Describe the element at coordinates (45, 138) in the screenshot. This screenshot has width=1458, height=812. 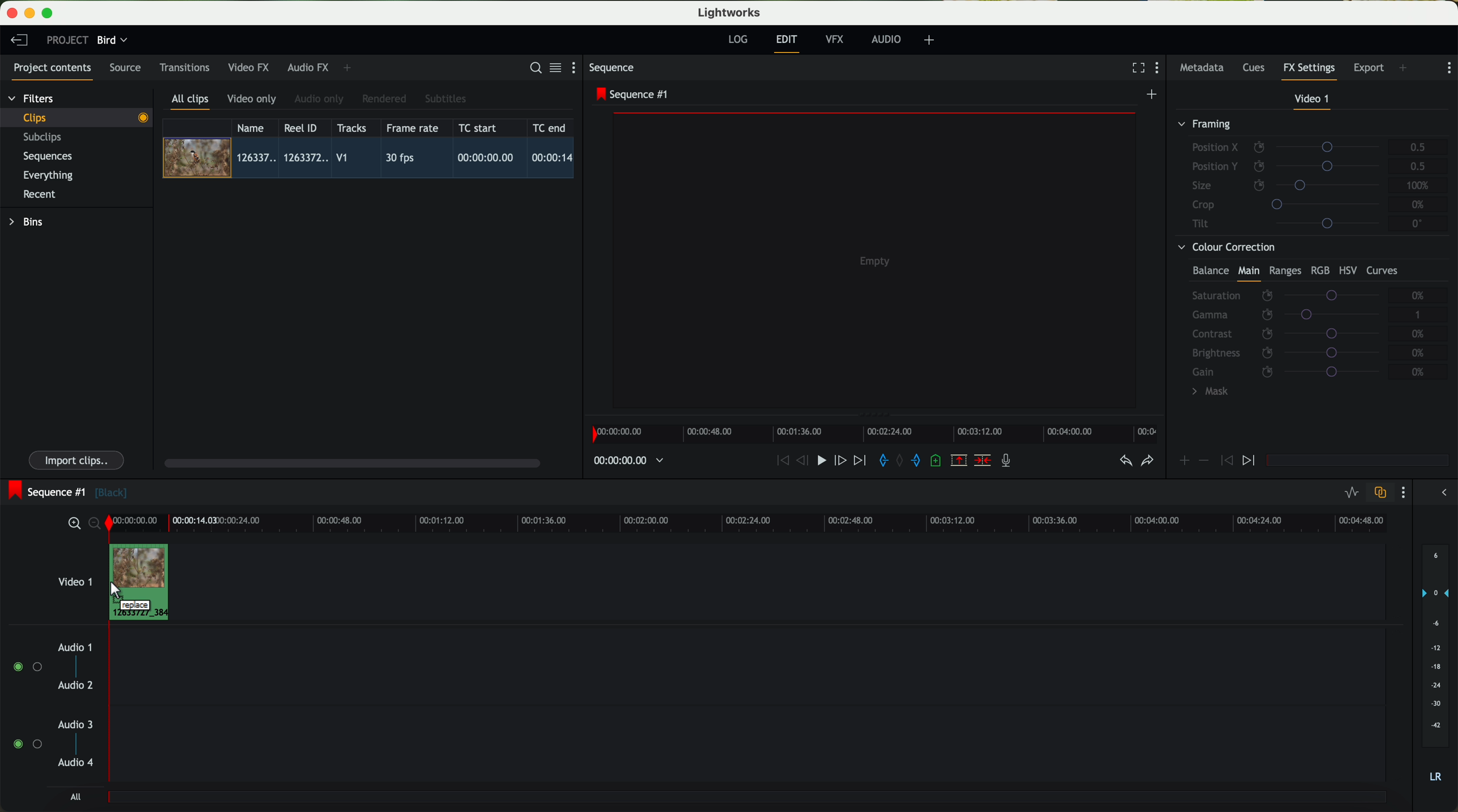
I see `subclips` at that location.